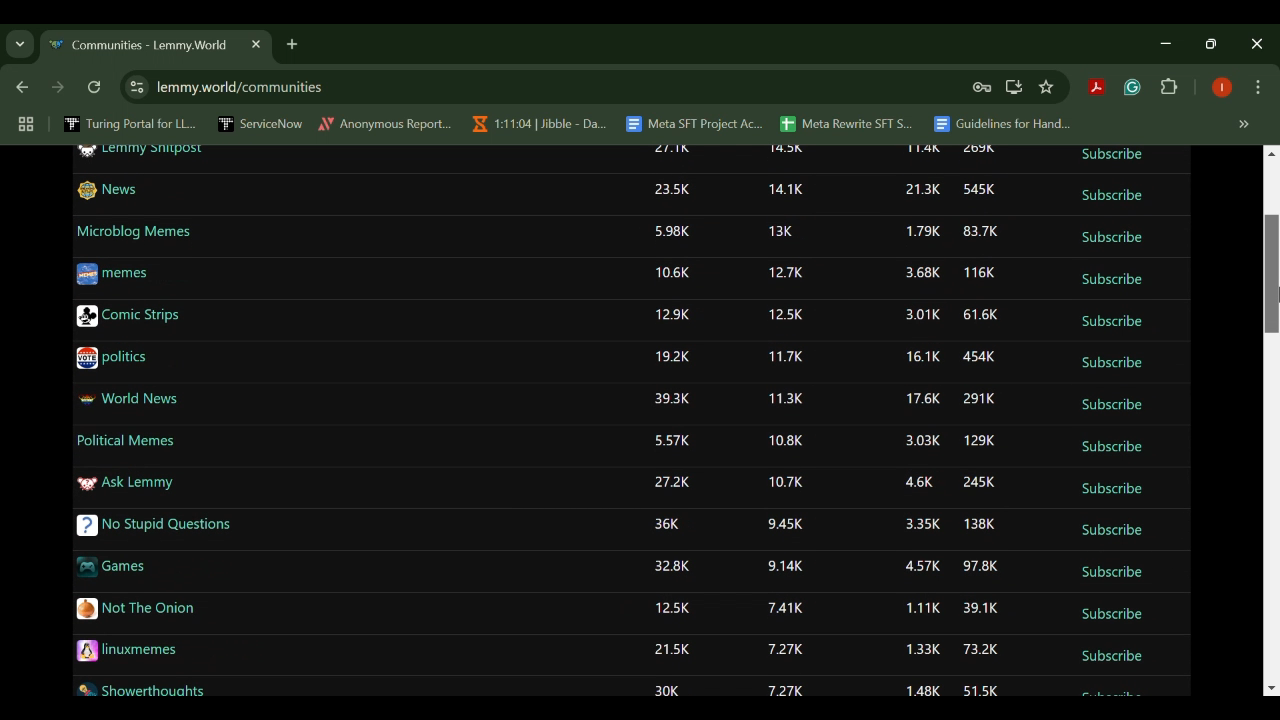 The height and width of the screenshot is (720, 1280). Describe the element at coordinates (922, 230) in the screenshot. I see `1.79K` at that location.